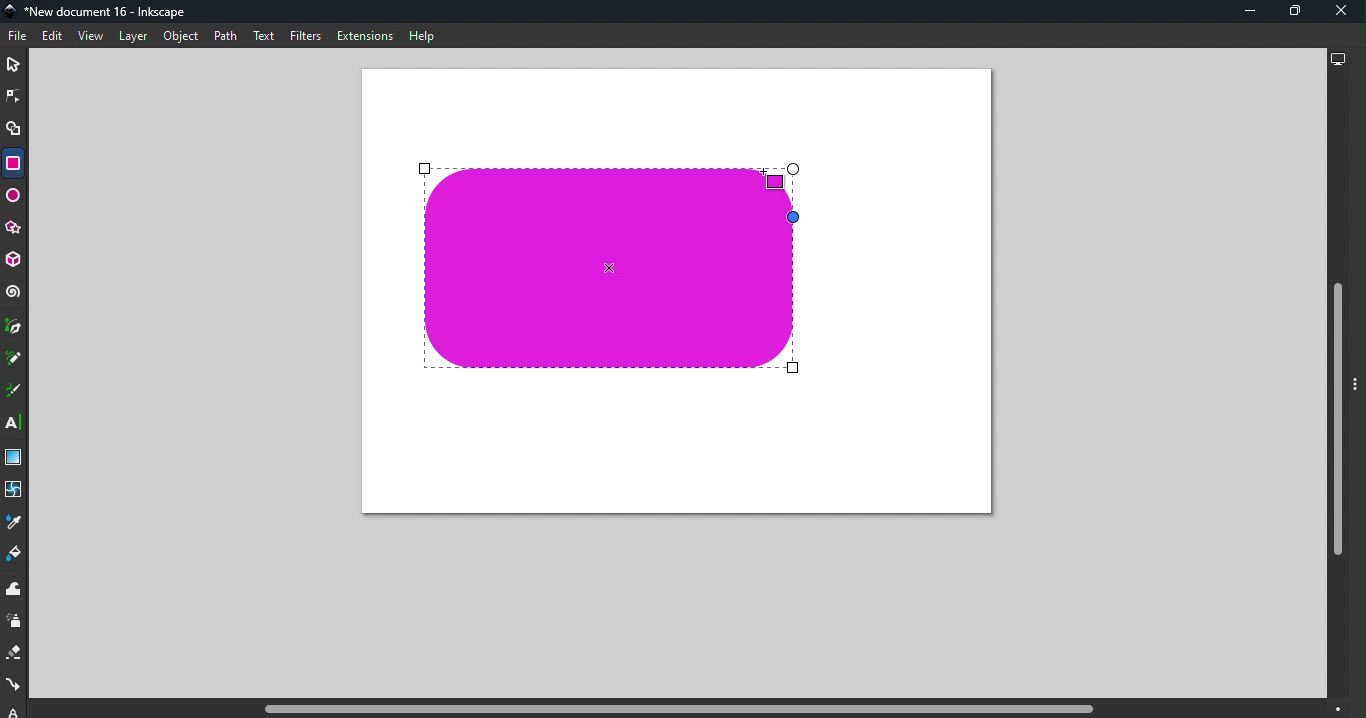 This screenshot has width=1366, height=718. I want to click on Extensions, so click(363, 35).